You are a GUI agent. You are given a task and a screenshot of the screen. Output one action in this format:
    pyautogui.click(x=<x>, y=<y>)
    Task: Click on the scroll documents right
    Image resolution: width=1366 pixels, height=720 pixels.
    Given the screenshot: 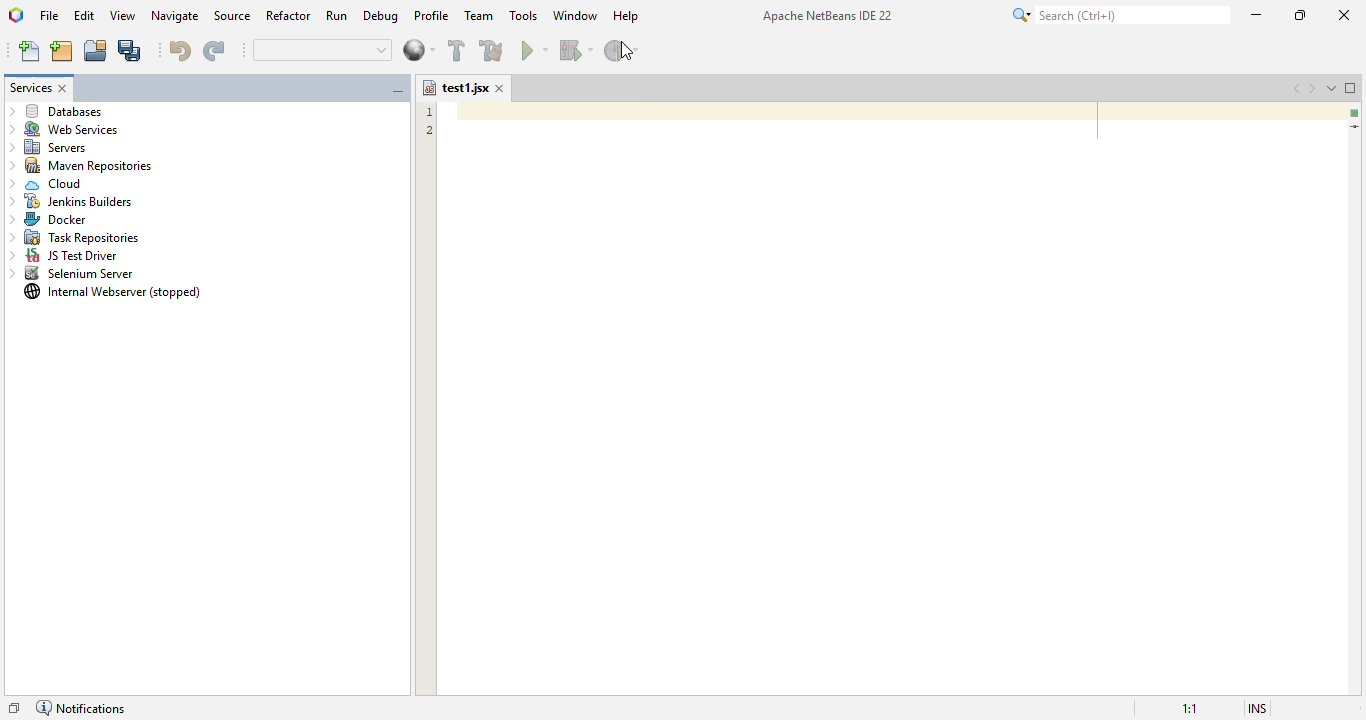 What is the action you would take?
    pyautogui.click(x=1313, y=88)
    